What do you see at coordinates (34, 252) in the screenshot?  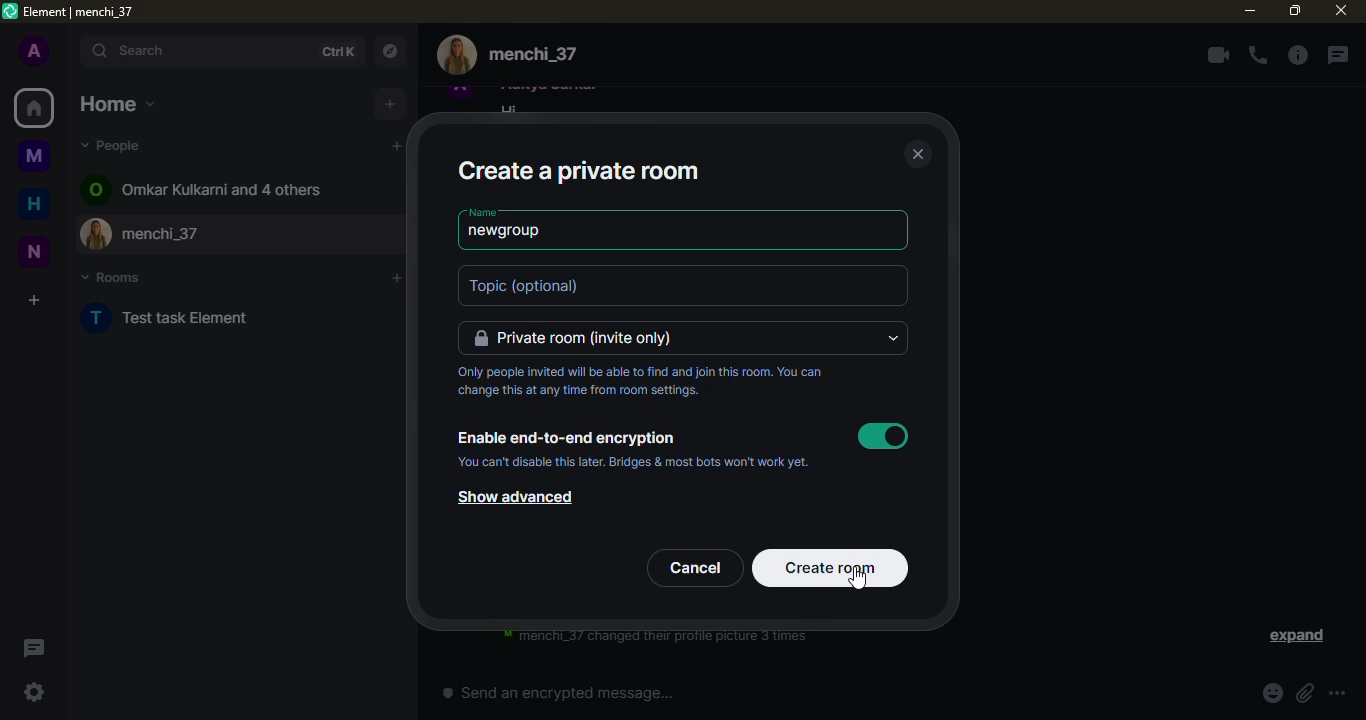 I see `new` at bounding box center [34, 252].